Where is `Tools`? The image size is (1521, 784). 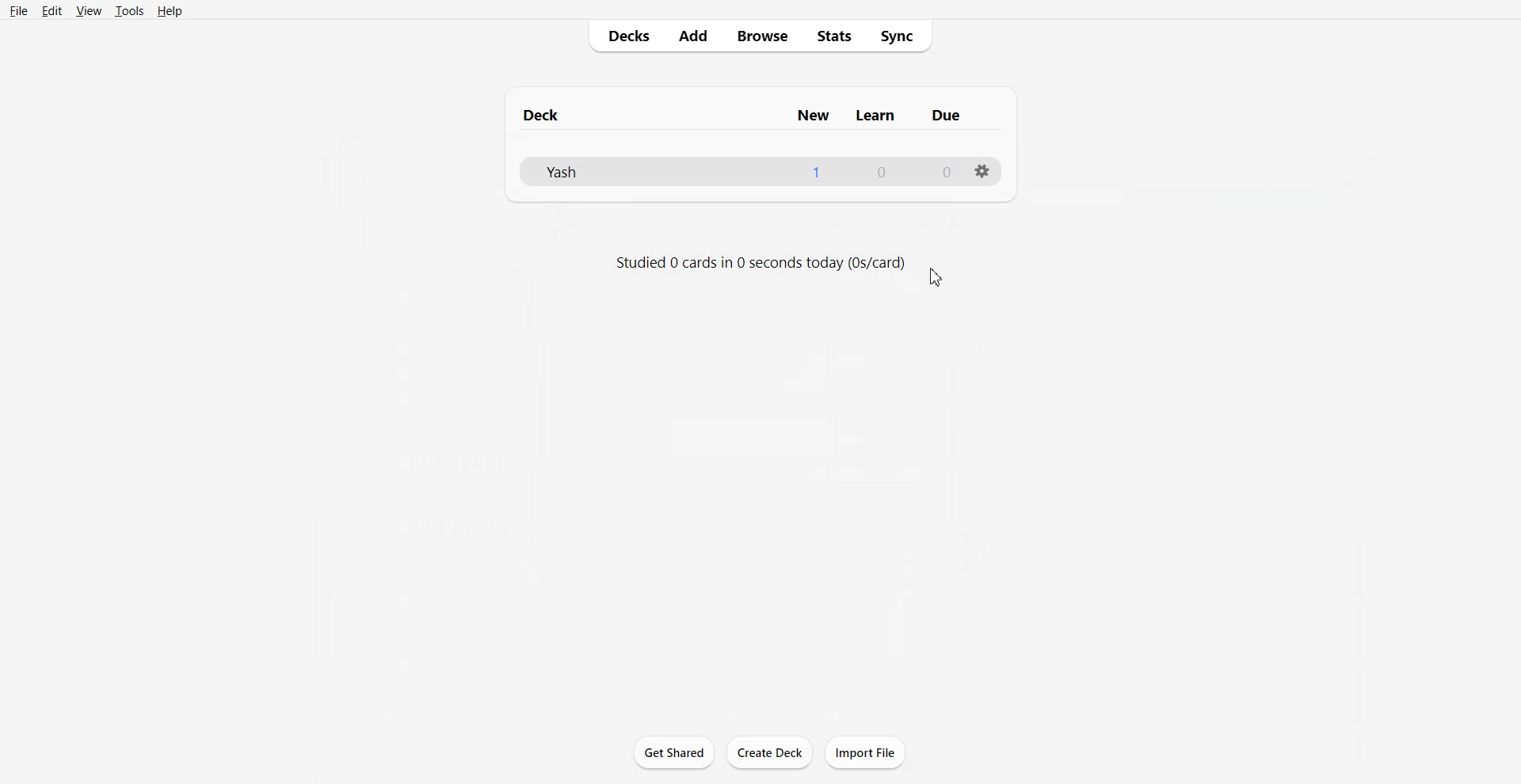 Tools is located at coordinates (130, 10).